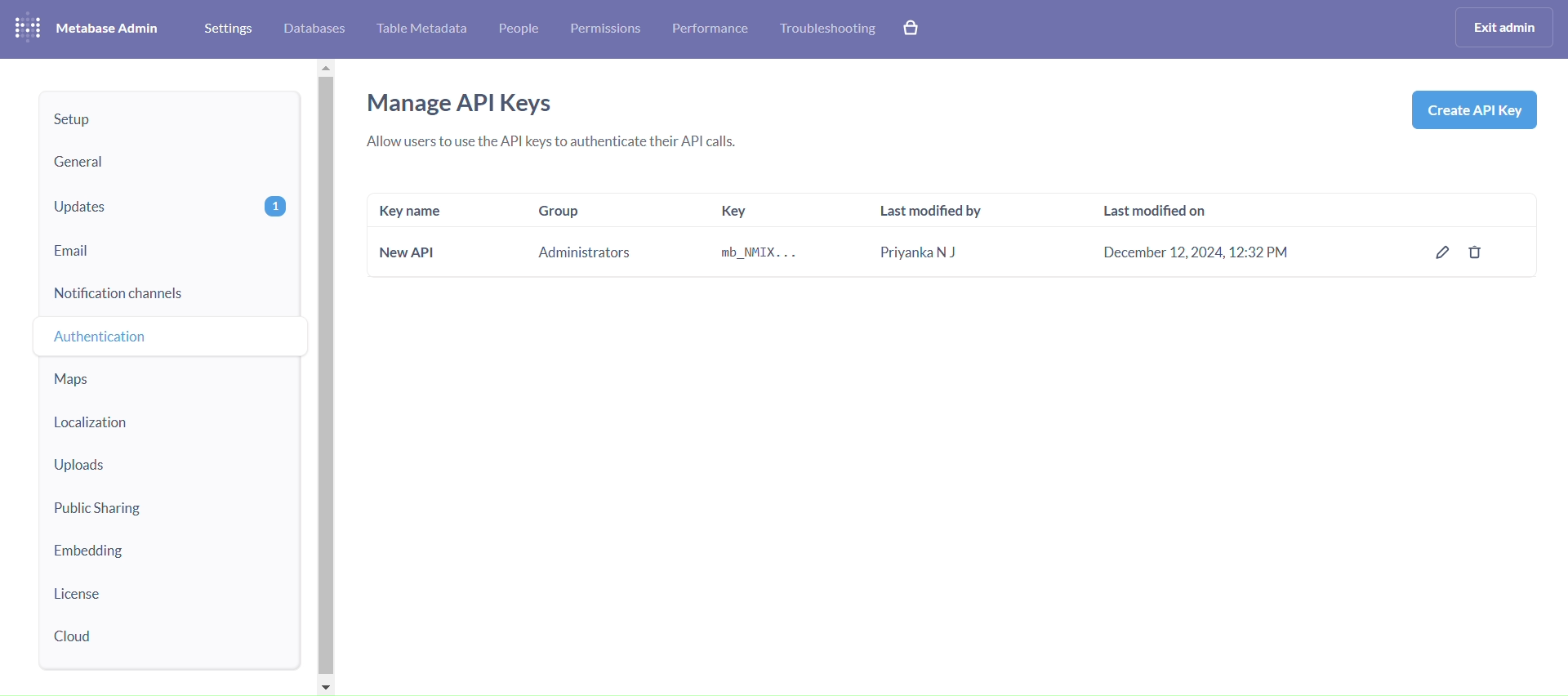 This screenshot has height=696, width=1568. What do you see at coordinates (1506, 26) in the screenshot?
I see `exist admin` at bounding box center [1506, 26].